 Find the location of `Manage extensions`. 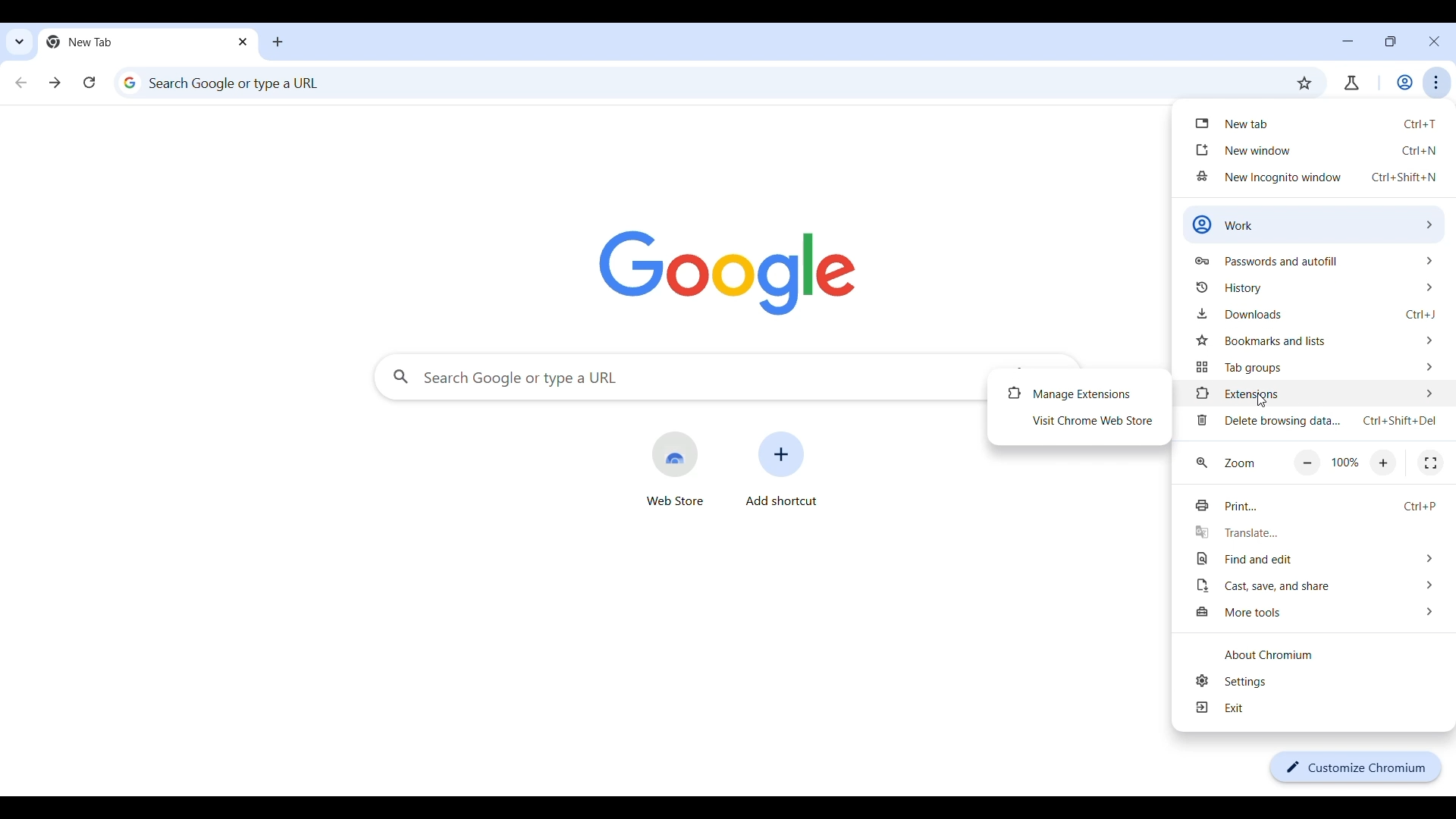

Manage extensions is located at coordinates (1079, 394).